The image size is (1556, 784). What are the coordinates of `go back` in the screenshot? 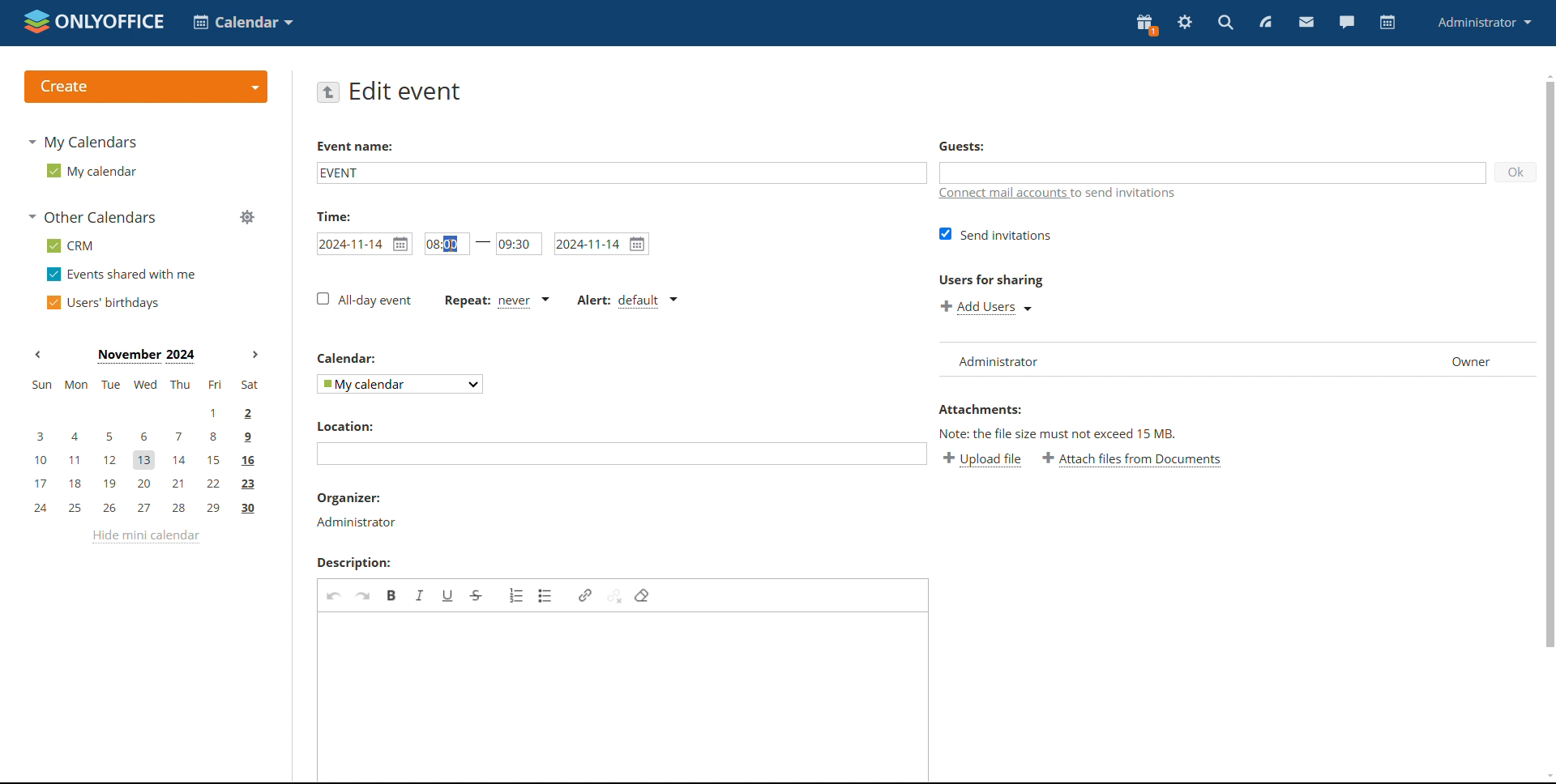 It's located at (329, 92).